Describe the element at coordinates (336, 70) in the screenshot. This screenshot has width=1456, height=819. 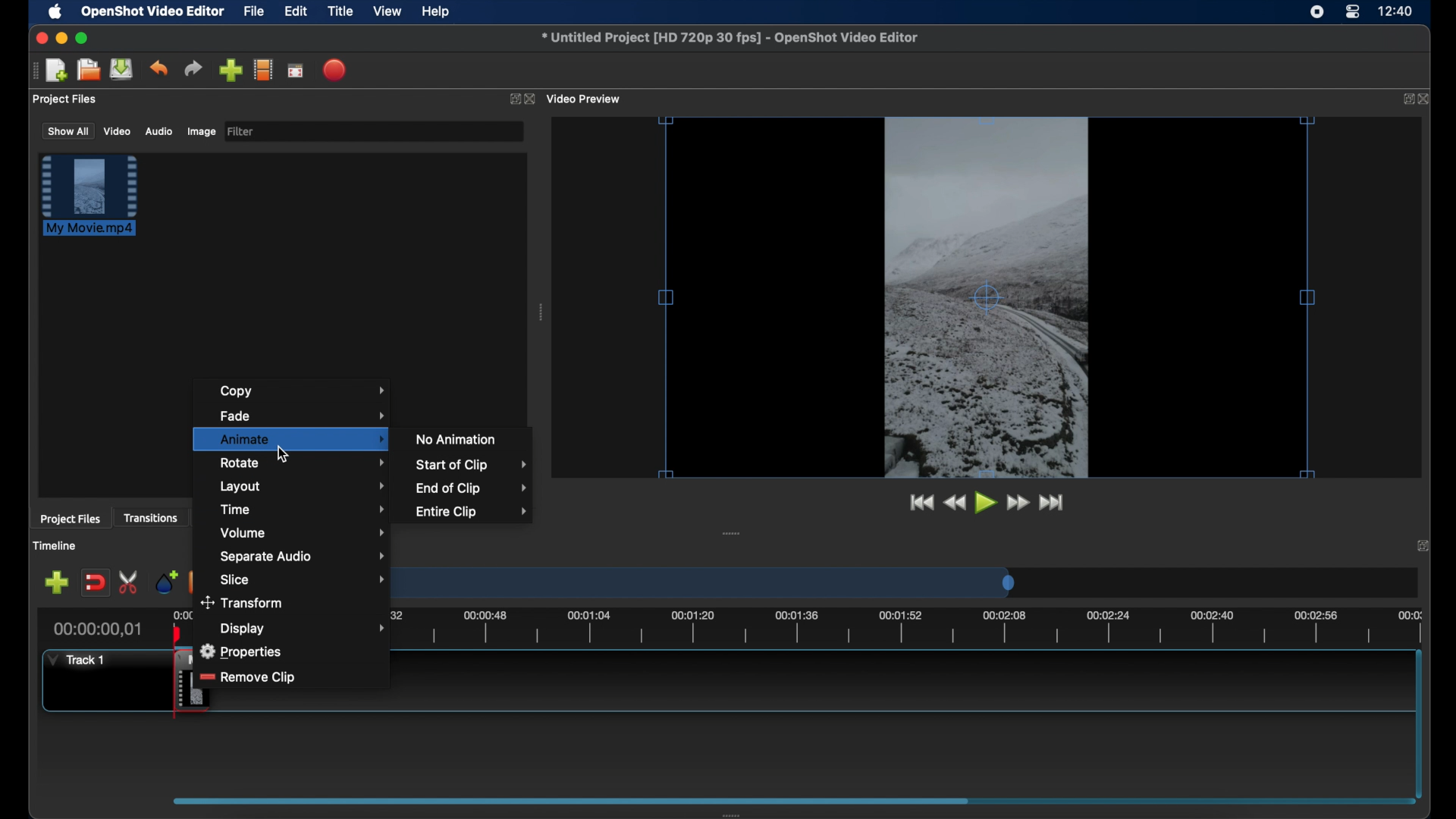
I see `export video` at that location.